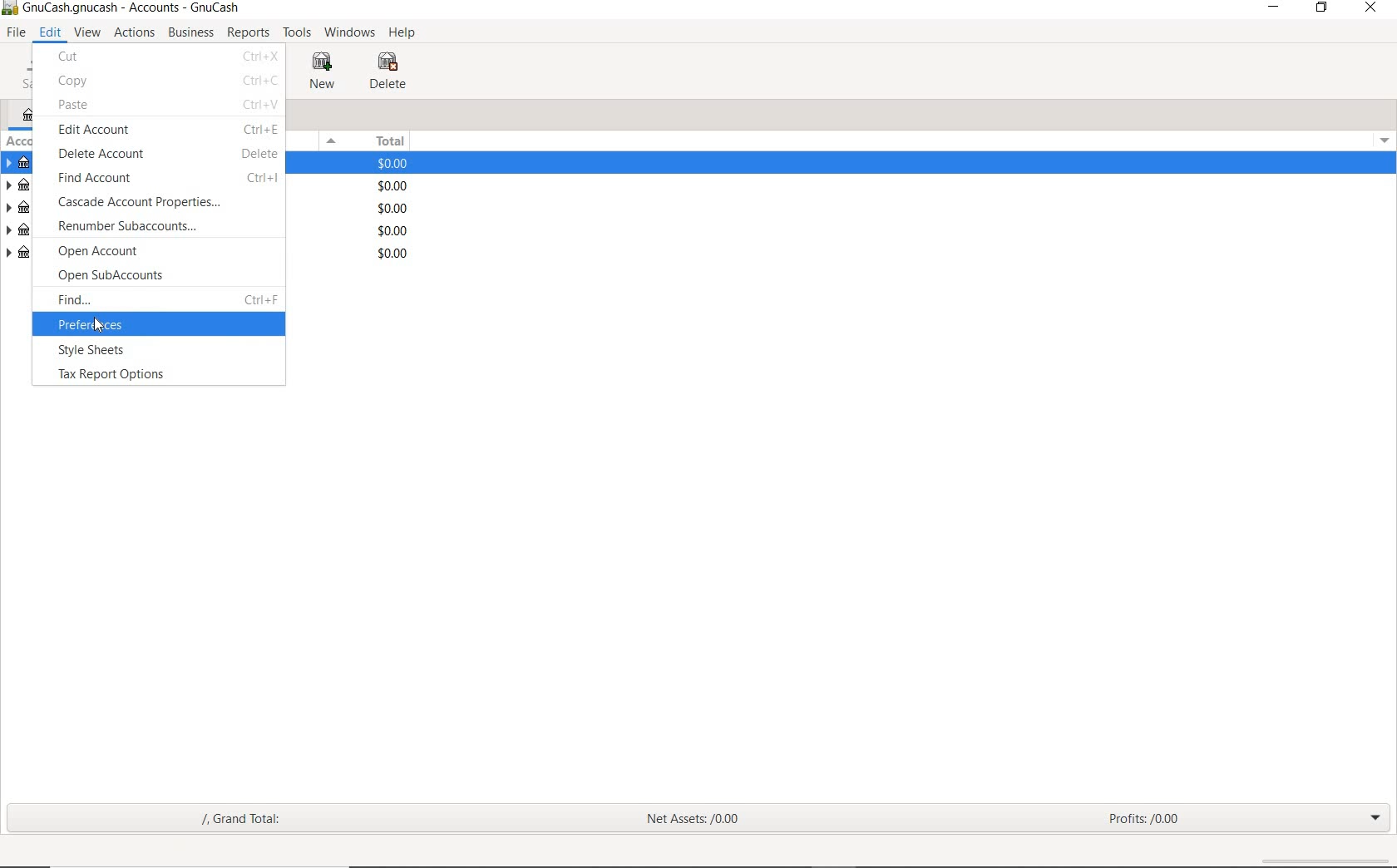 This screenshot has width=1397, height=868. Describe the element at coordinates (107, 252) in the screenshot. I see `open account` at that location.